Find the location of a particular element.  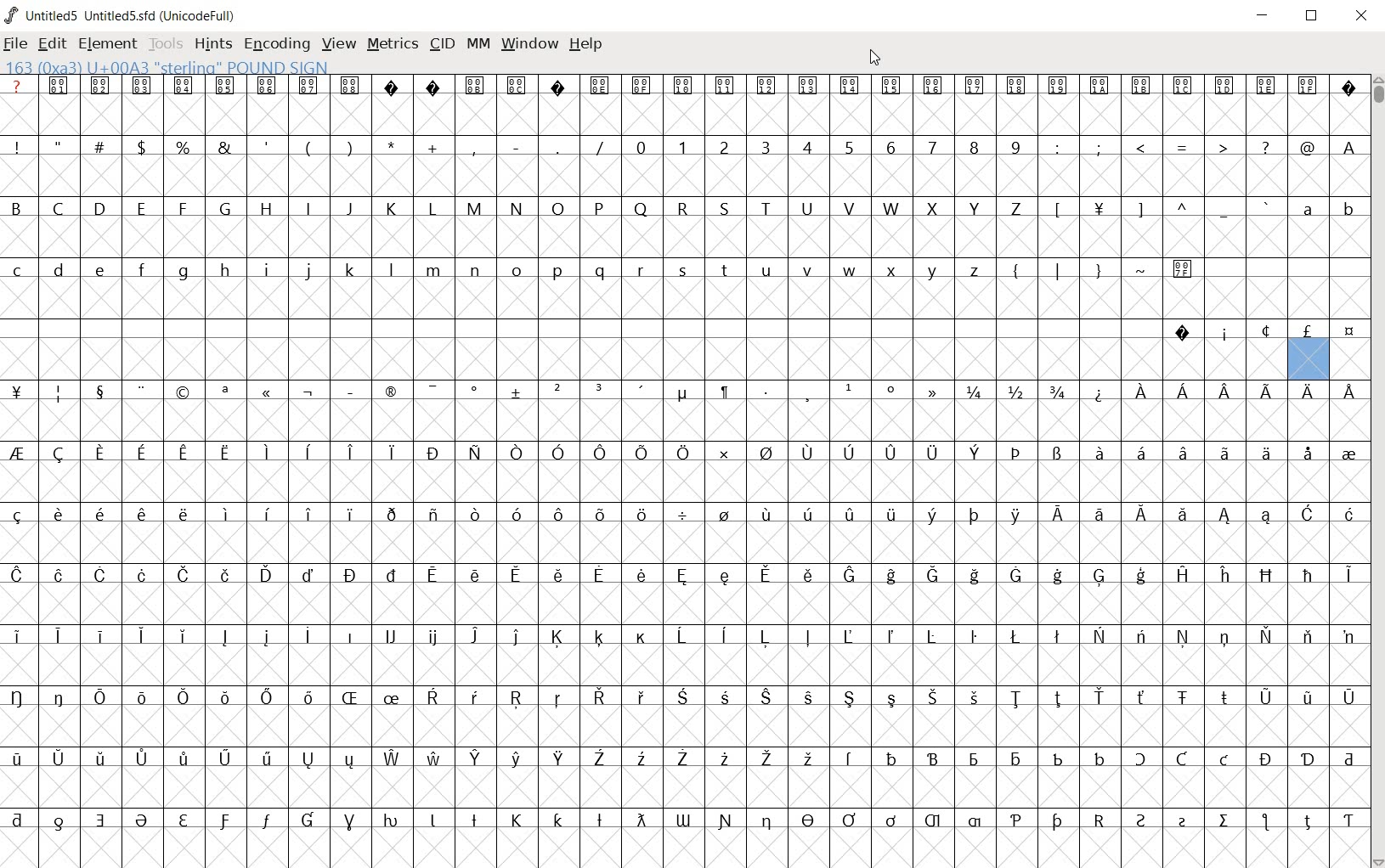

5 is located at coordinates (848, 147).